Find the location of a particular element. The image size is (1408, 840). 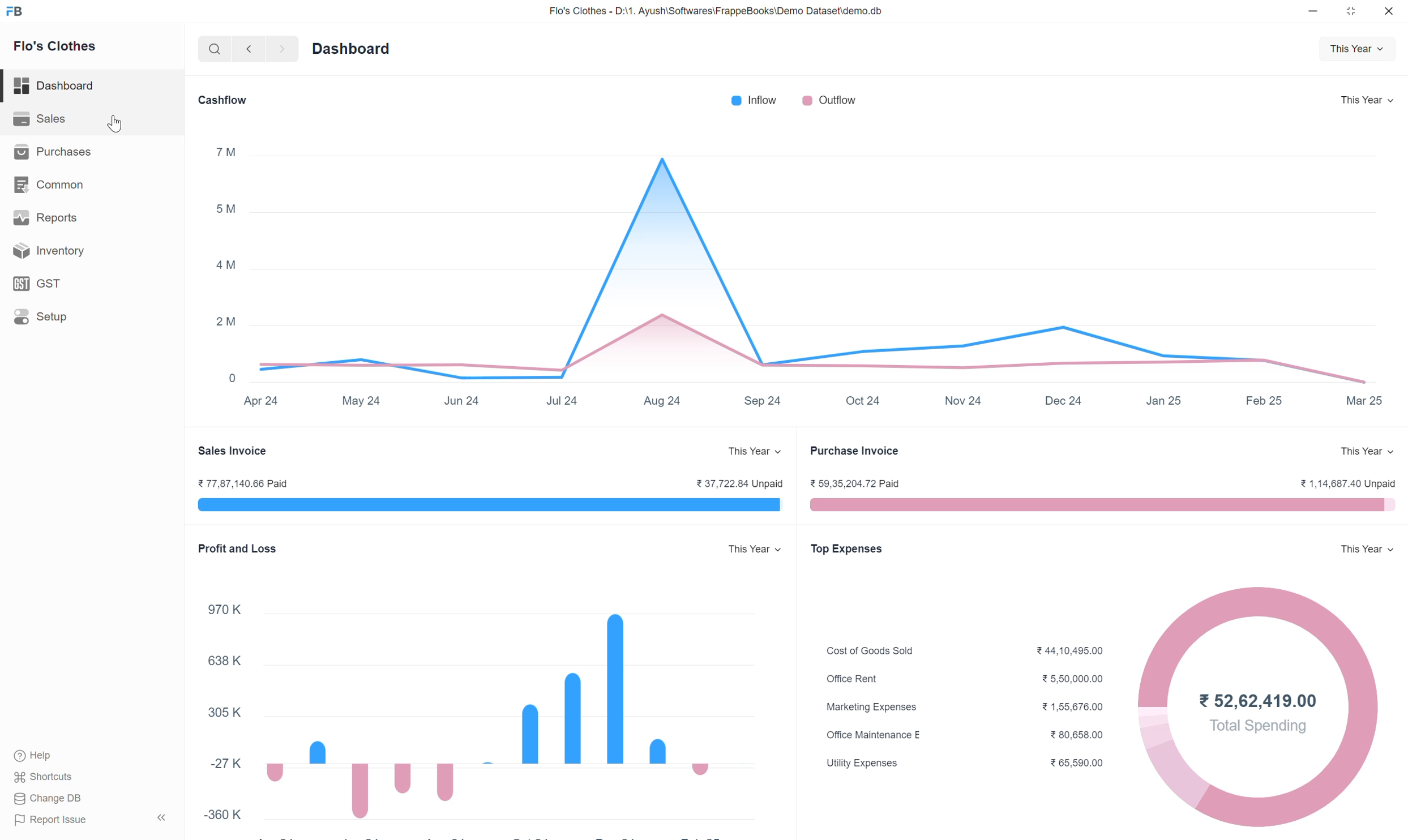

305K is located at coordinates (227, 713).